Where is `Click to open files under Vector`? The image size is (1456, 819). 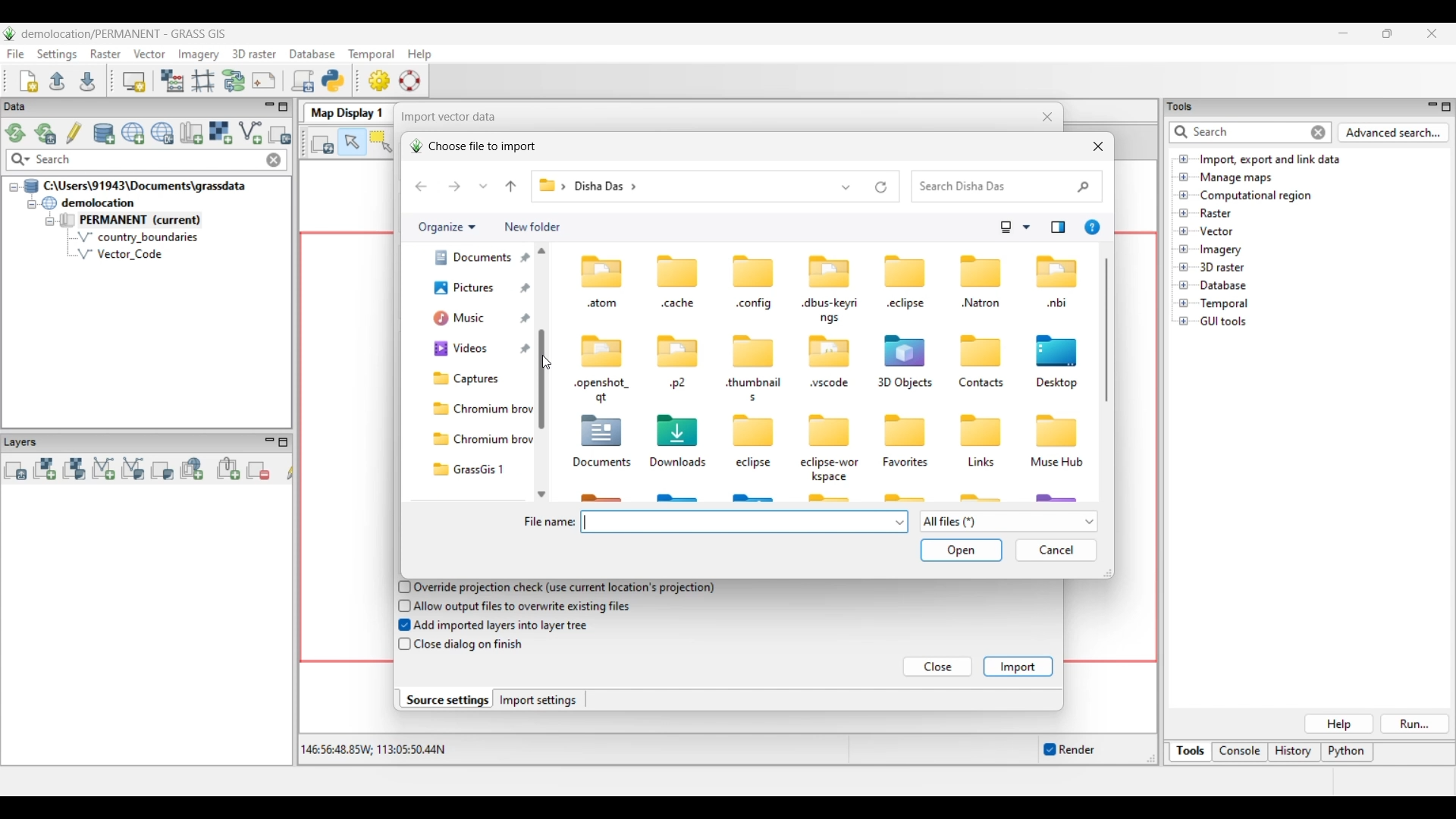 Click to open files under Vector is located at coordinates (1184, 231).